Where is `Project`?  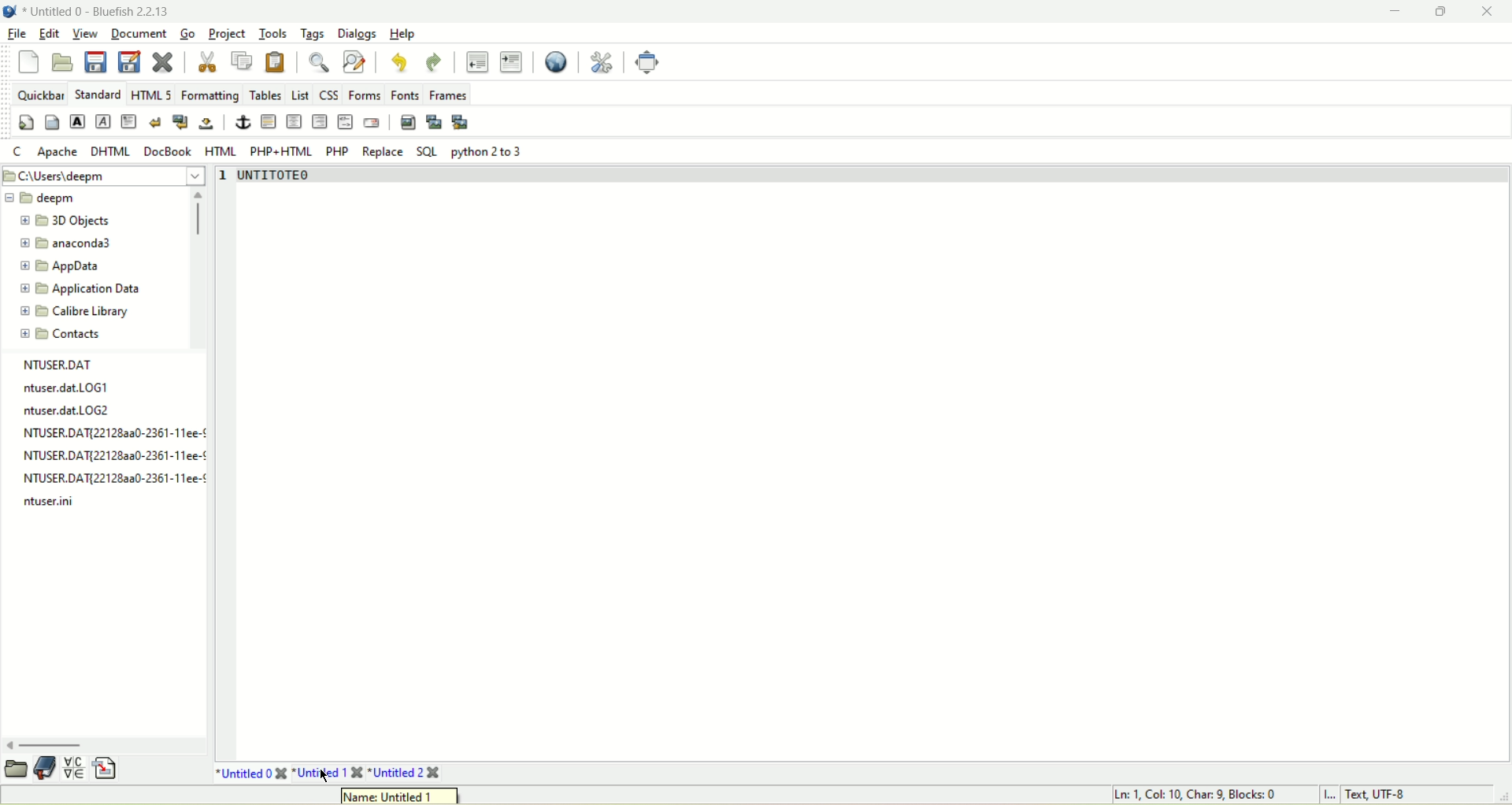 Project is located at coordinates (226, 32).